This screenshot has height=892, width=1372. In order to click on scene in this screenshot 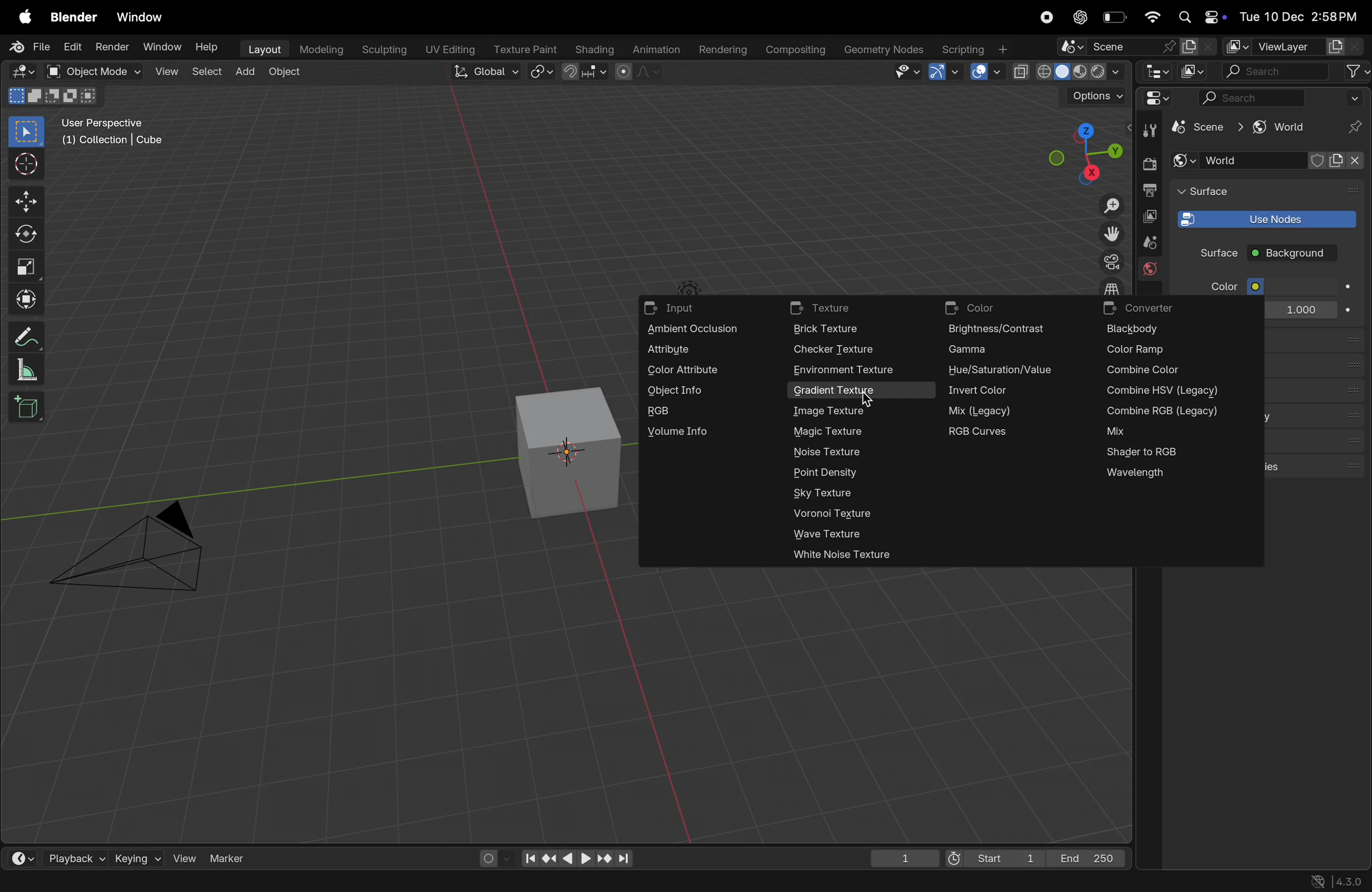, I will do `click(1148, 243)`.